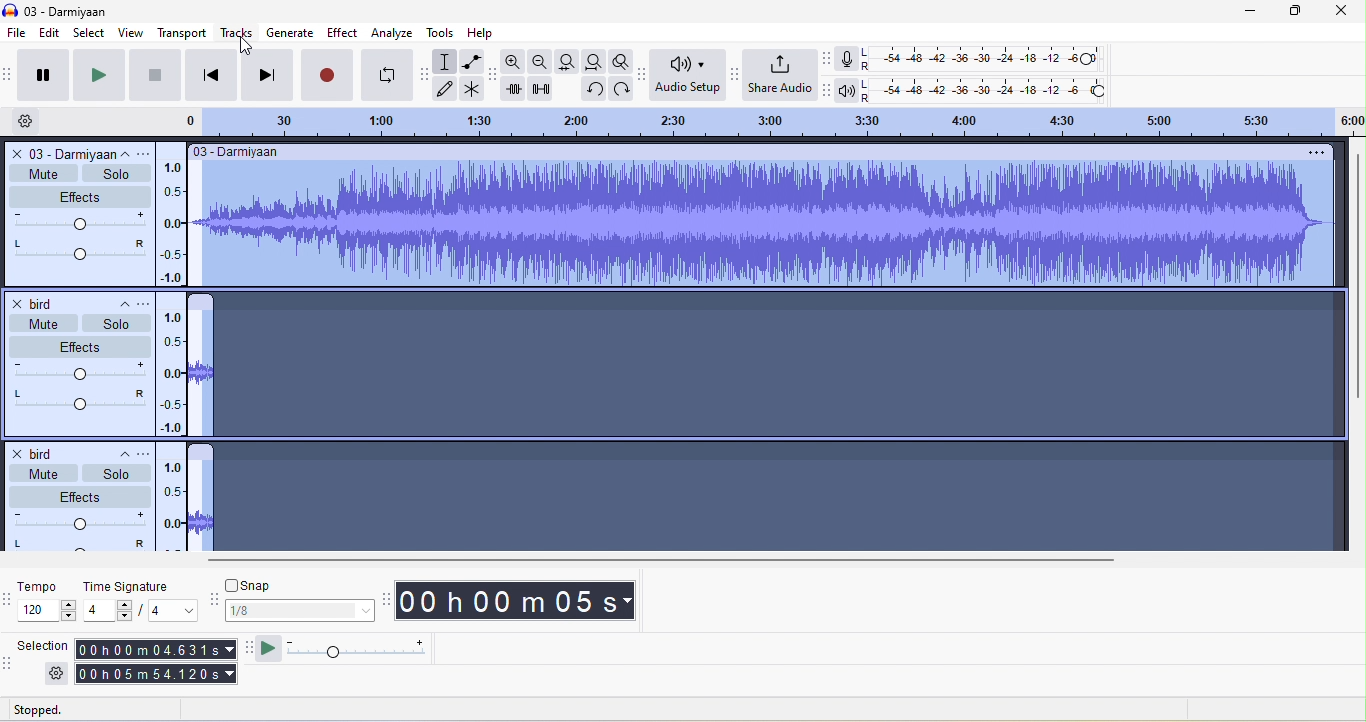 The height and width of the screenshot is (722, 1366). Describe the element at coordinates (182, 32) in the screenshot. I see `transport` at that location.